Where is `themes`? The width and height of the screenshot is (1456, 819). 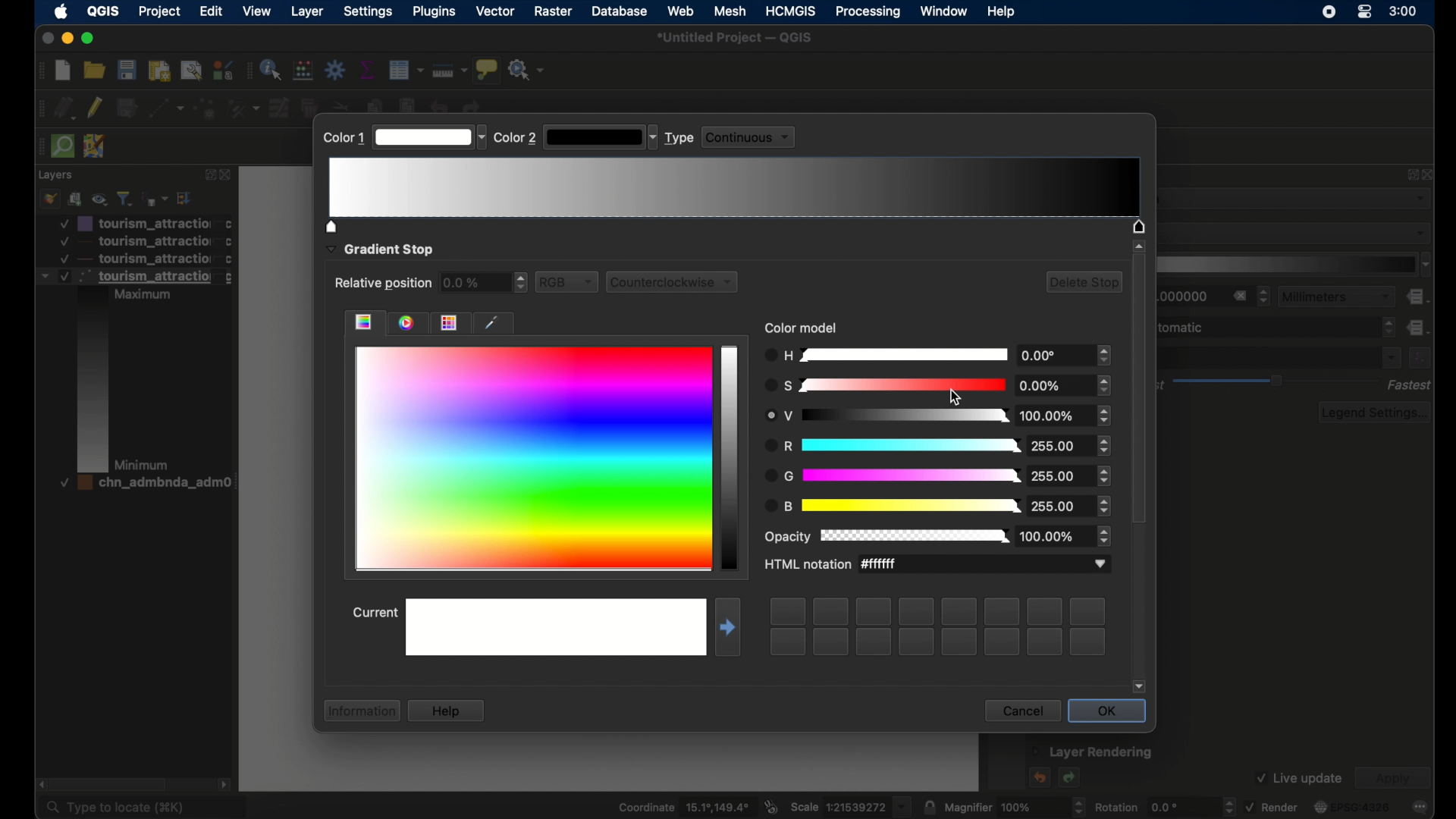 themes is located at coordinates (454, 322).